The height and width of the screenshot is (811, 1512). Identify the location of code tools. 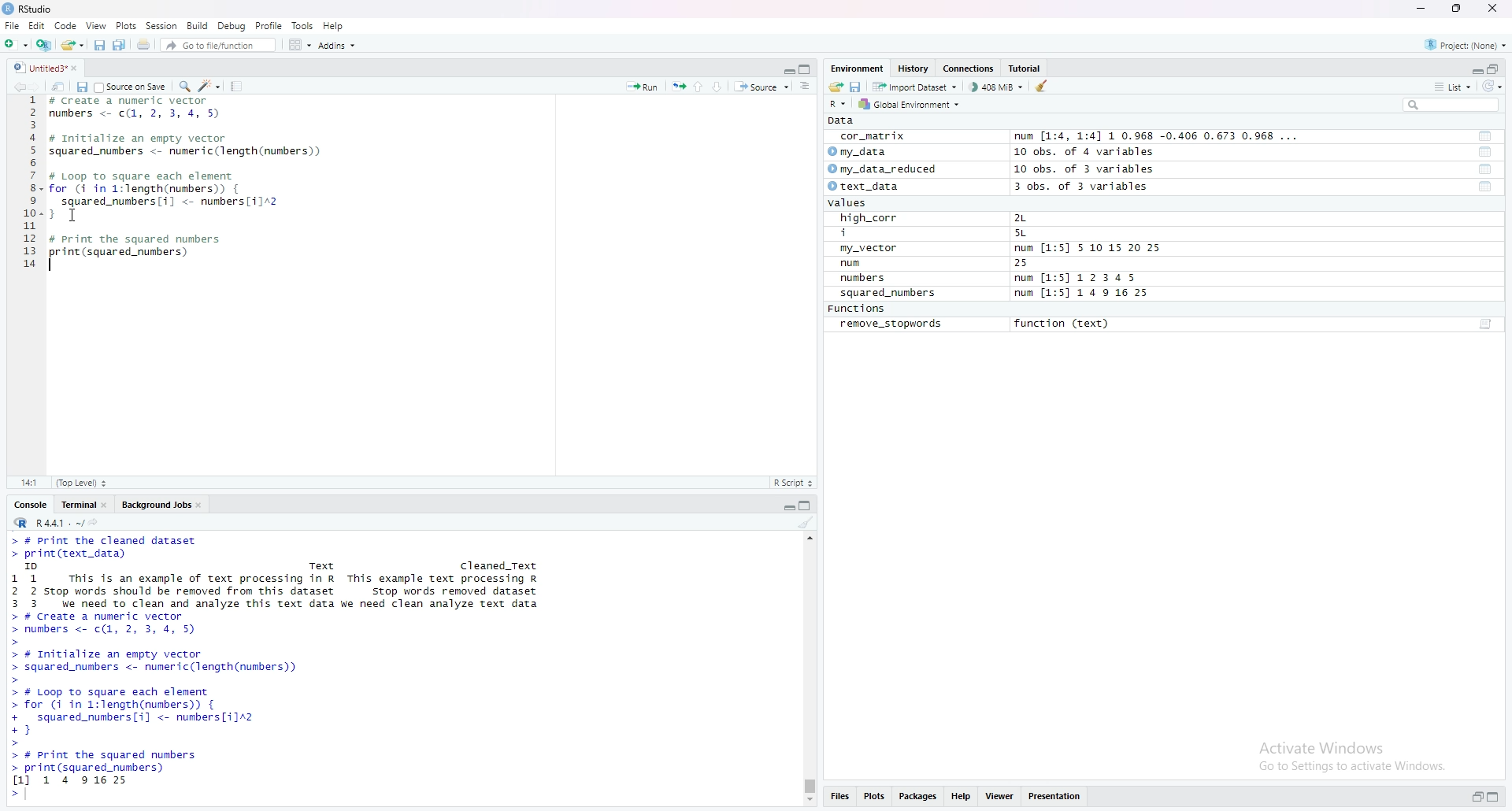
(209, 85).